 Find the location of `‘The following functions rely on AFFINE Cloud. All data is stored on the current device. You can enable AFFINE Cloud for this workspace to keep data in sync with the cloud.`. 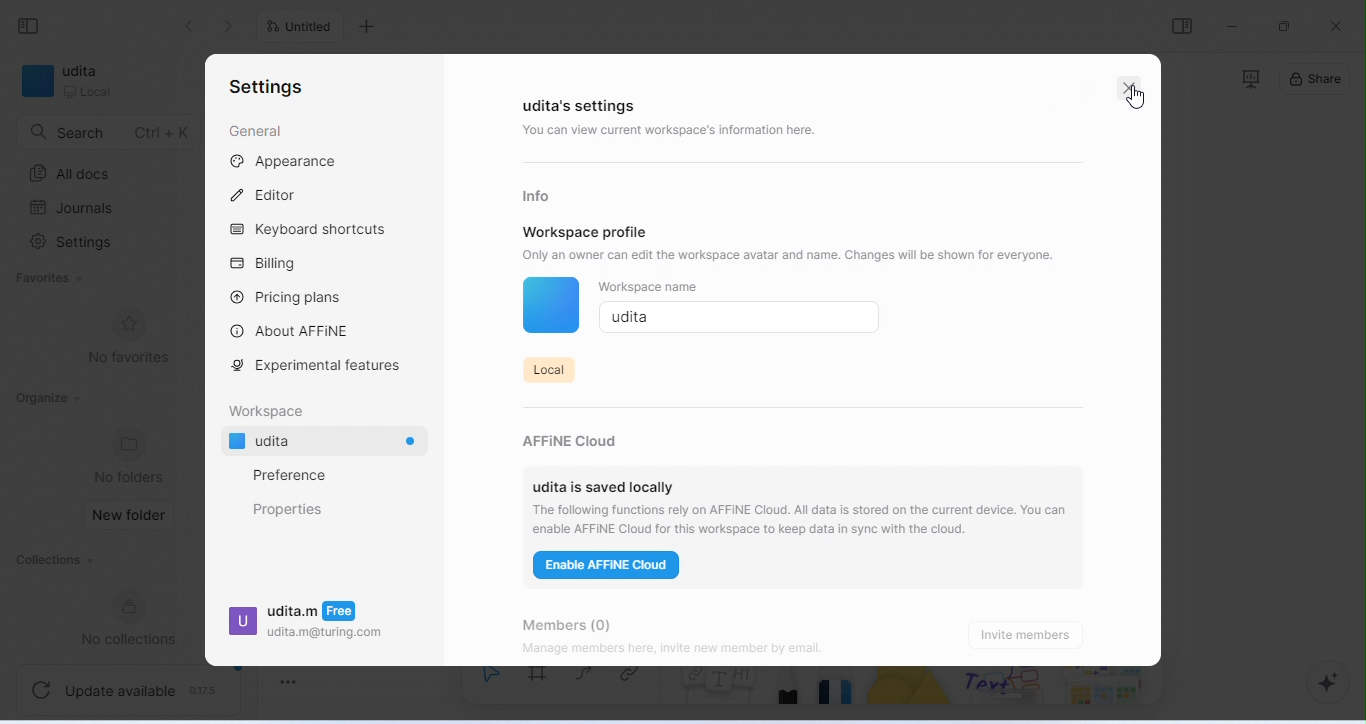

‘The following functions rely on AFFINE Cloud. All data is stored on the current device. You can enable AFFINE Cloud for this workspace to keep data in sync with the cloud. is located at coordinates (804, 519).